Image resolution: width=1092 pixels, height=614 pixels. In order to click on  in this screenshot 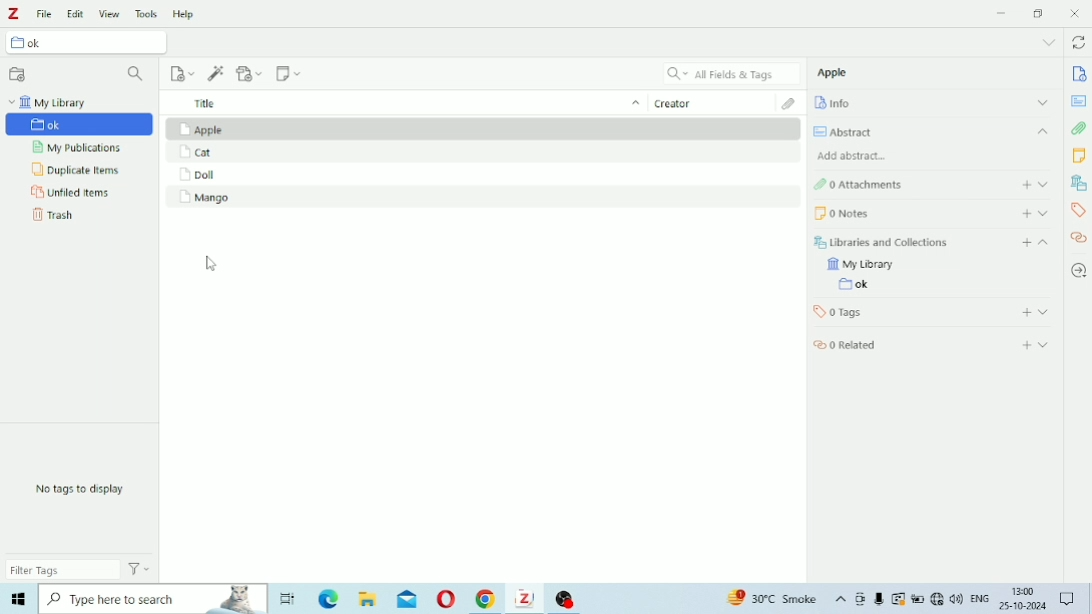, I will do `click(978, 598)`.